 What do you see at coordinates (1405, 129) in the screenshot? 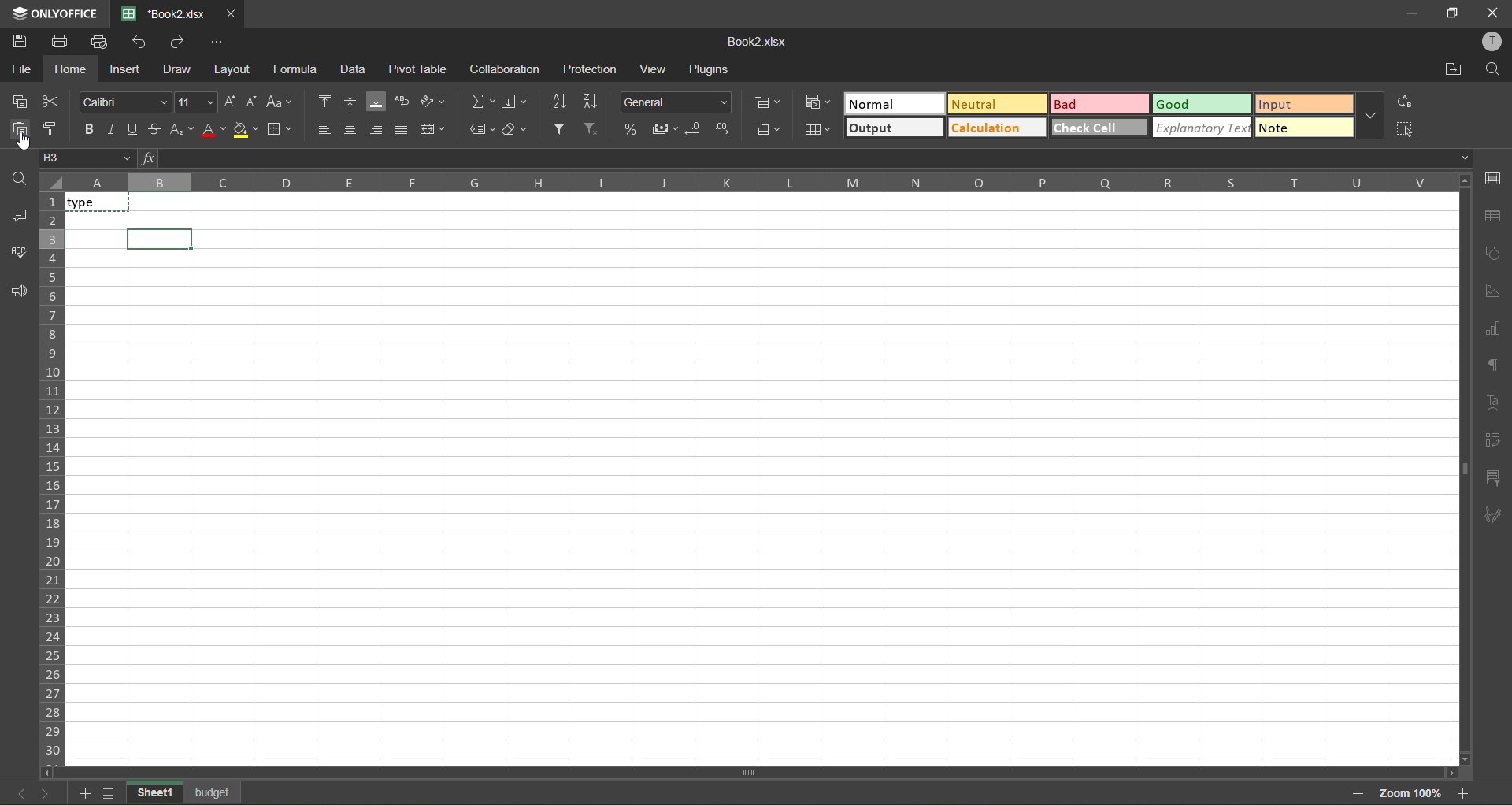
I see `select all` at bounding box center [1405, 129].